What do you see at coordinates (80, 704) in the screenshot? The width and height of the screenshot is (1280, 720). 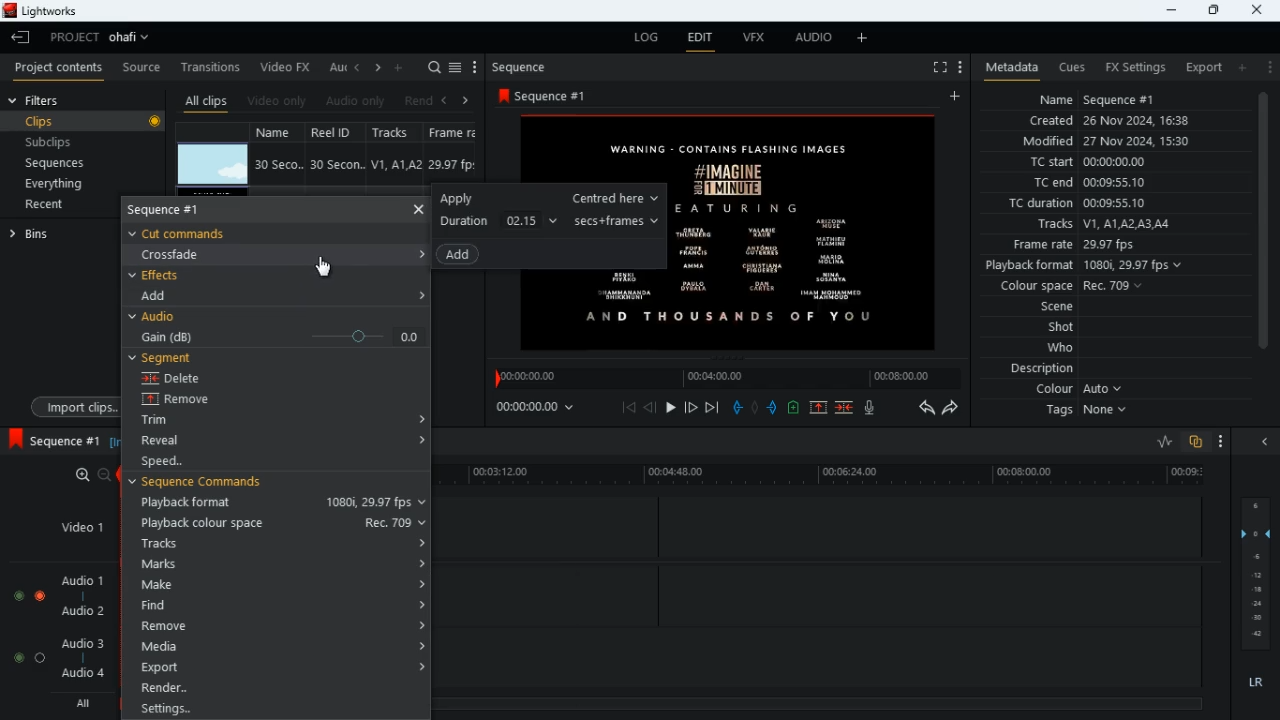 I see `all` at bounding box center [80, 704].